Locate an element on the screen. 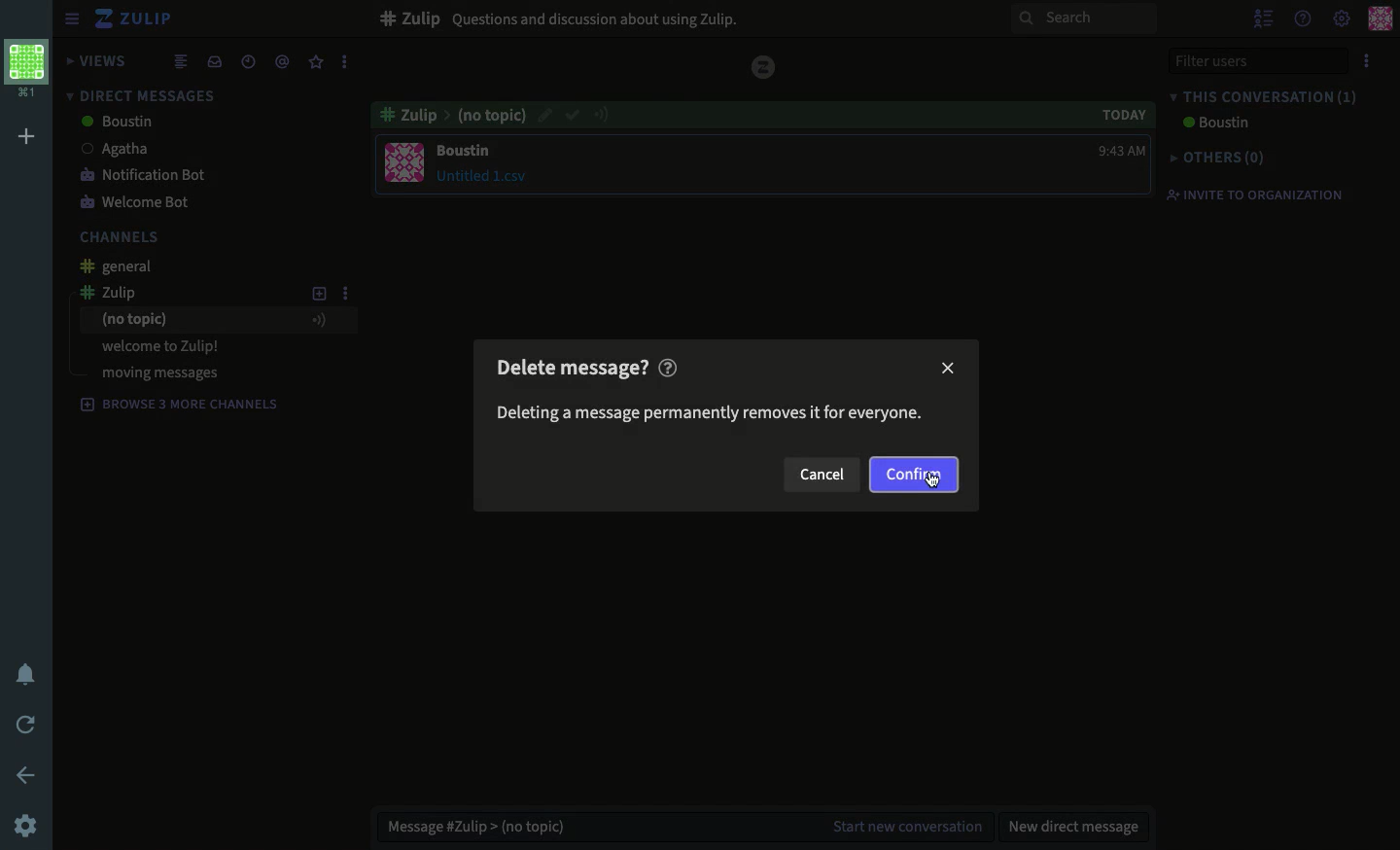 The width and height of the screenshot is (1400, 850). close is located at coordinates (950, 368).